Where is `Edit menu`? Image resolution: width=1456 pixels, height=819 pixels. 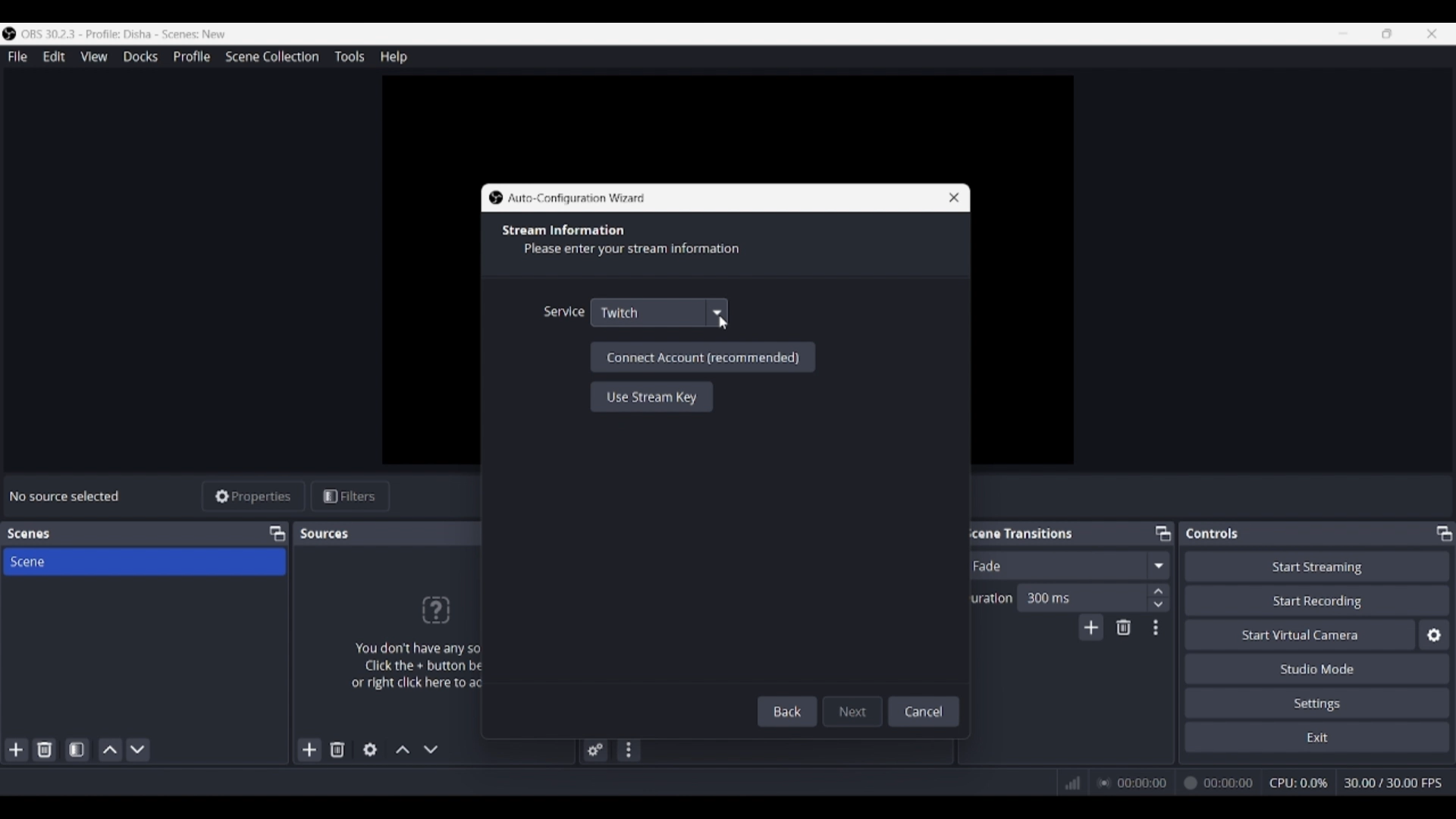 Edit menu is located at coordinates (53, 57).